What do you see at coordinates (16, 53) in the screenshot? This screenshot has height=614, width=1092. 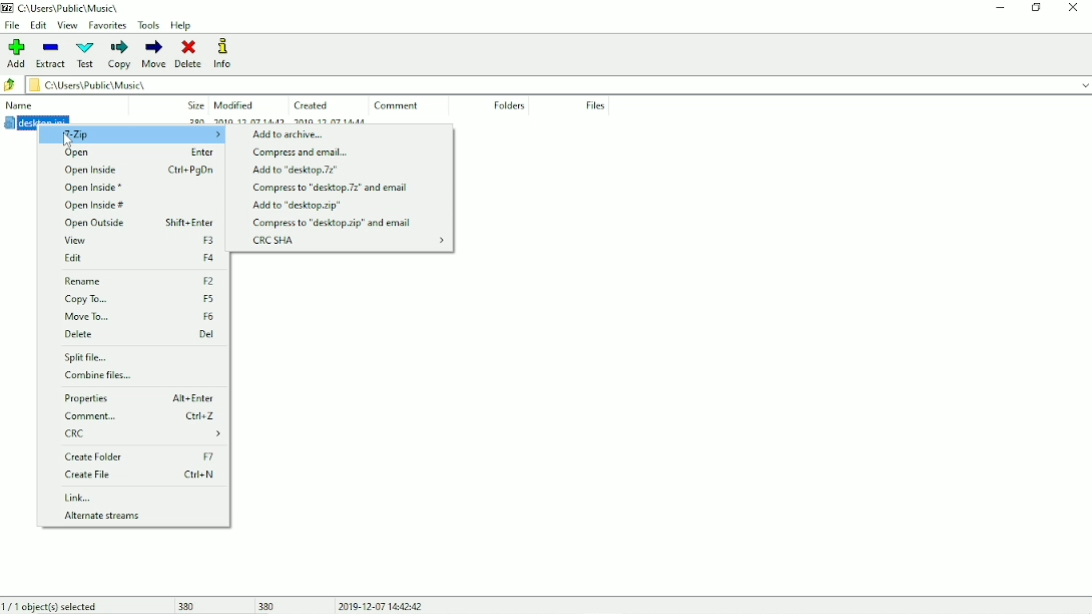 I see `Add` at bounding box center [16, 53].